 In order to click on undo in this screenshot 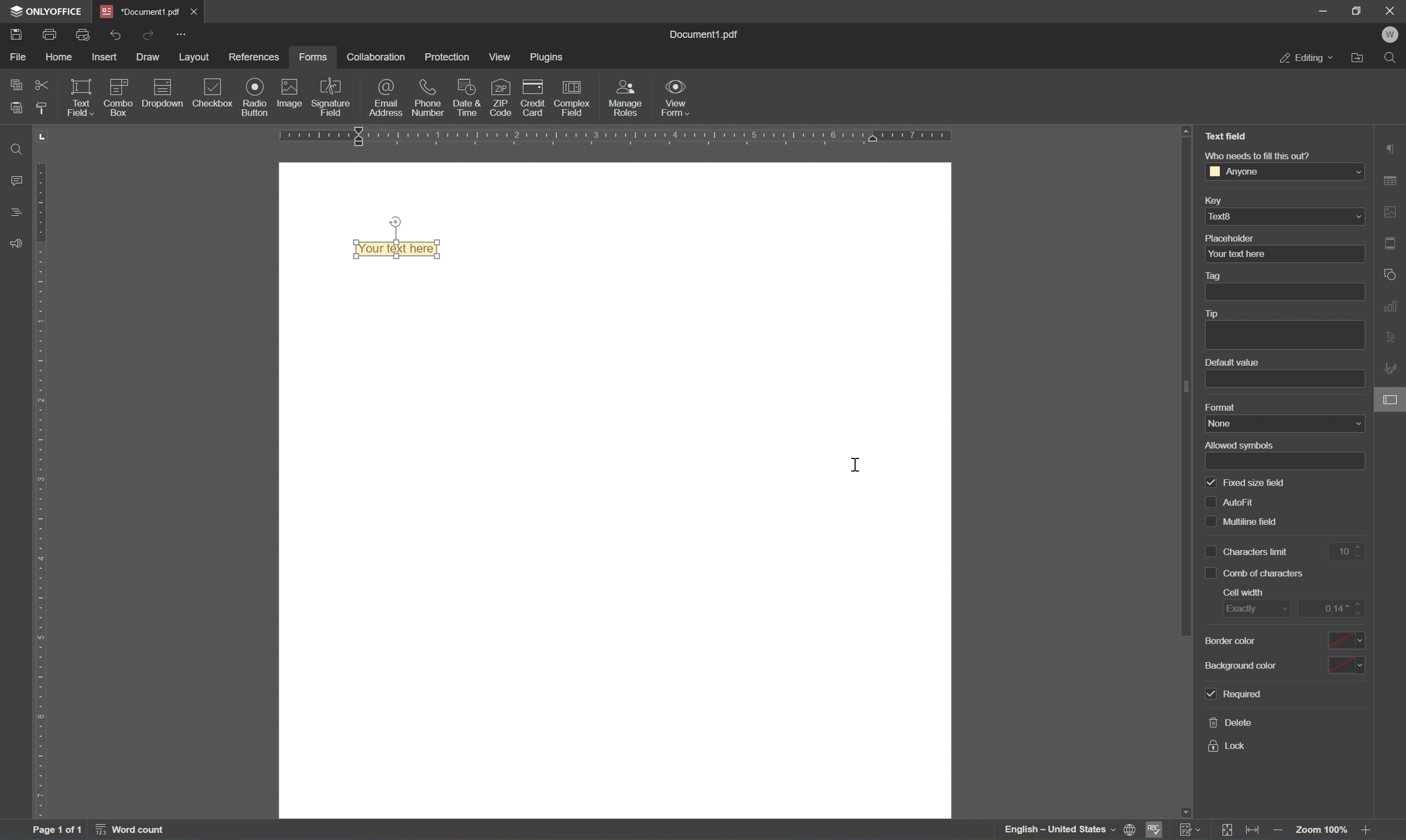, I will do `click(147, 37)`.